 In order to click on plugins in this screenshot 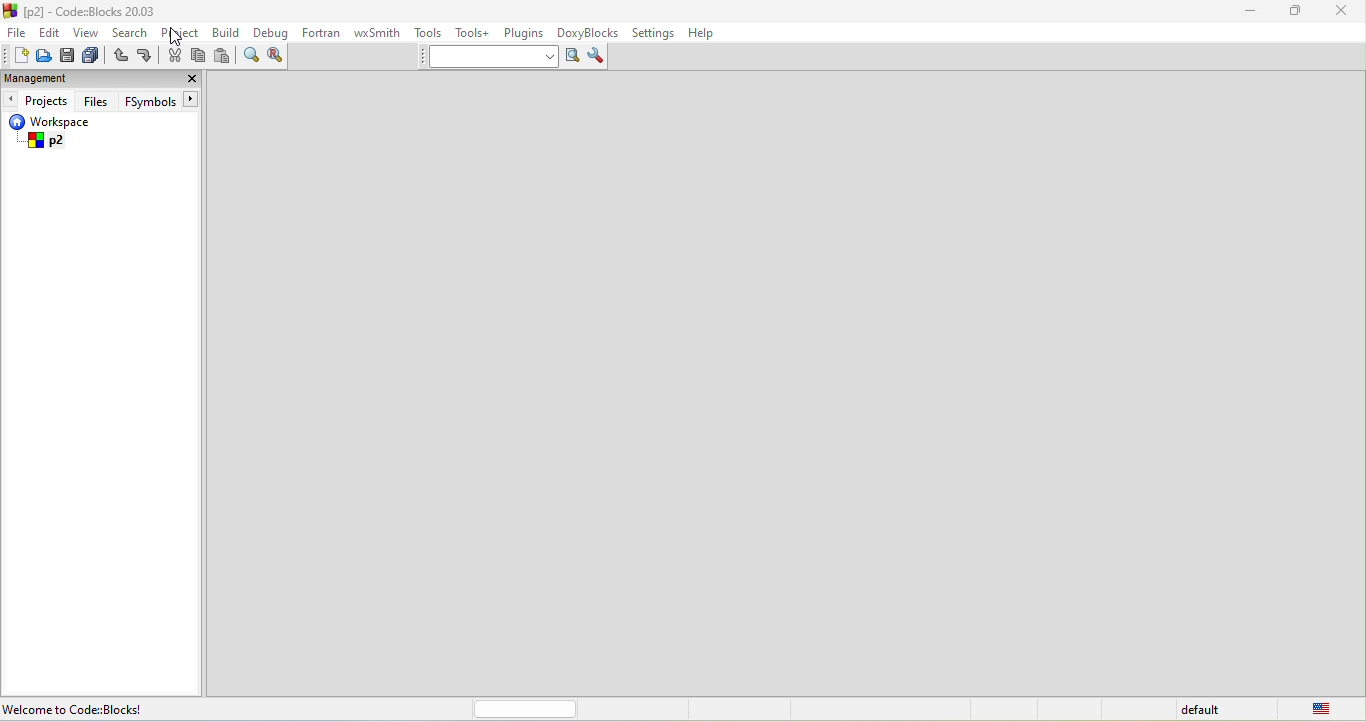, I will do `click(525, 34)`.